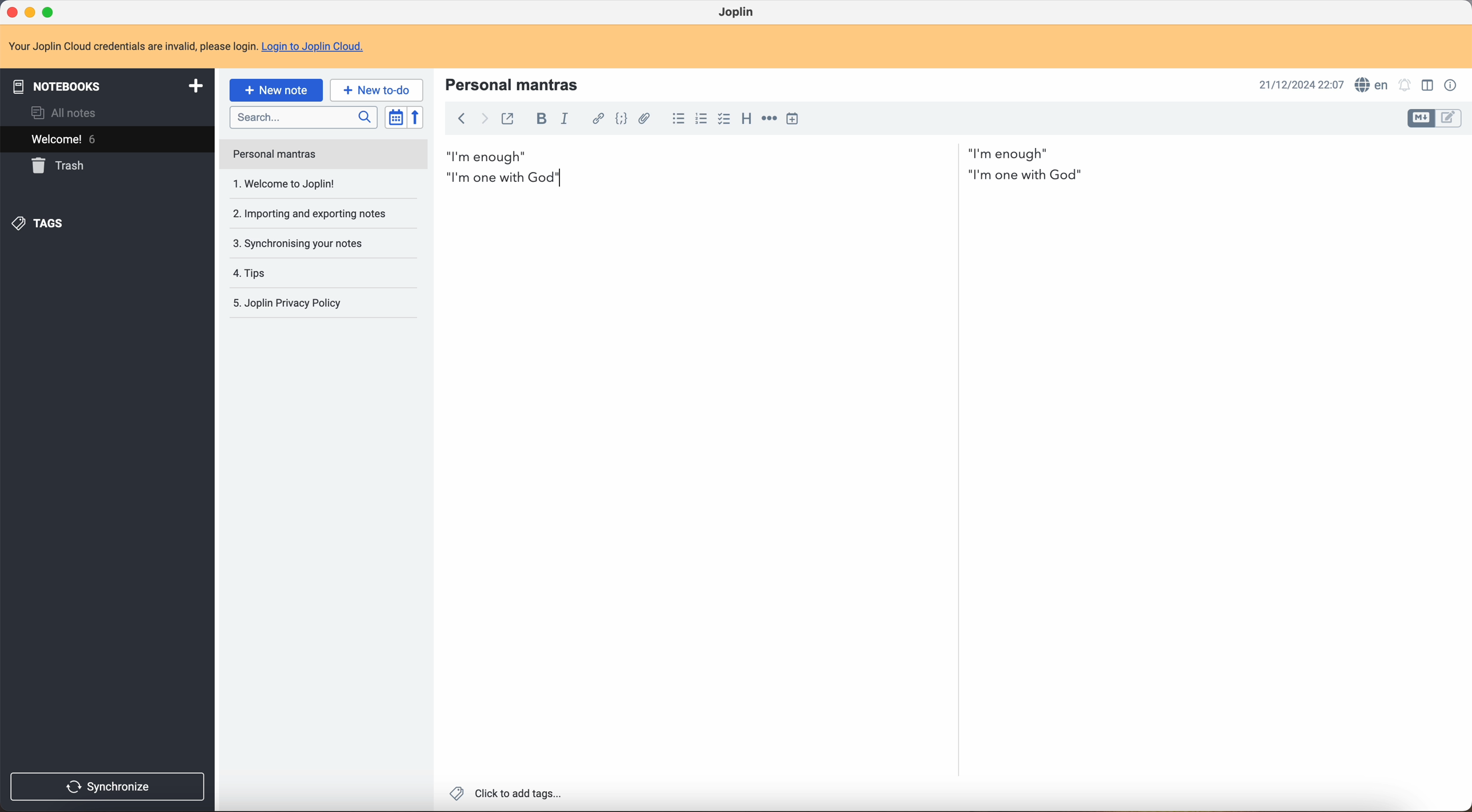 This screenshot has height=812, width=1472. Describe the element at coordinates (792, 118) in the screenshot. I see `insert time` at that location.